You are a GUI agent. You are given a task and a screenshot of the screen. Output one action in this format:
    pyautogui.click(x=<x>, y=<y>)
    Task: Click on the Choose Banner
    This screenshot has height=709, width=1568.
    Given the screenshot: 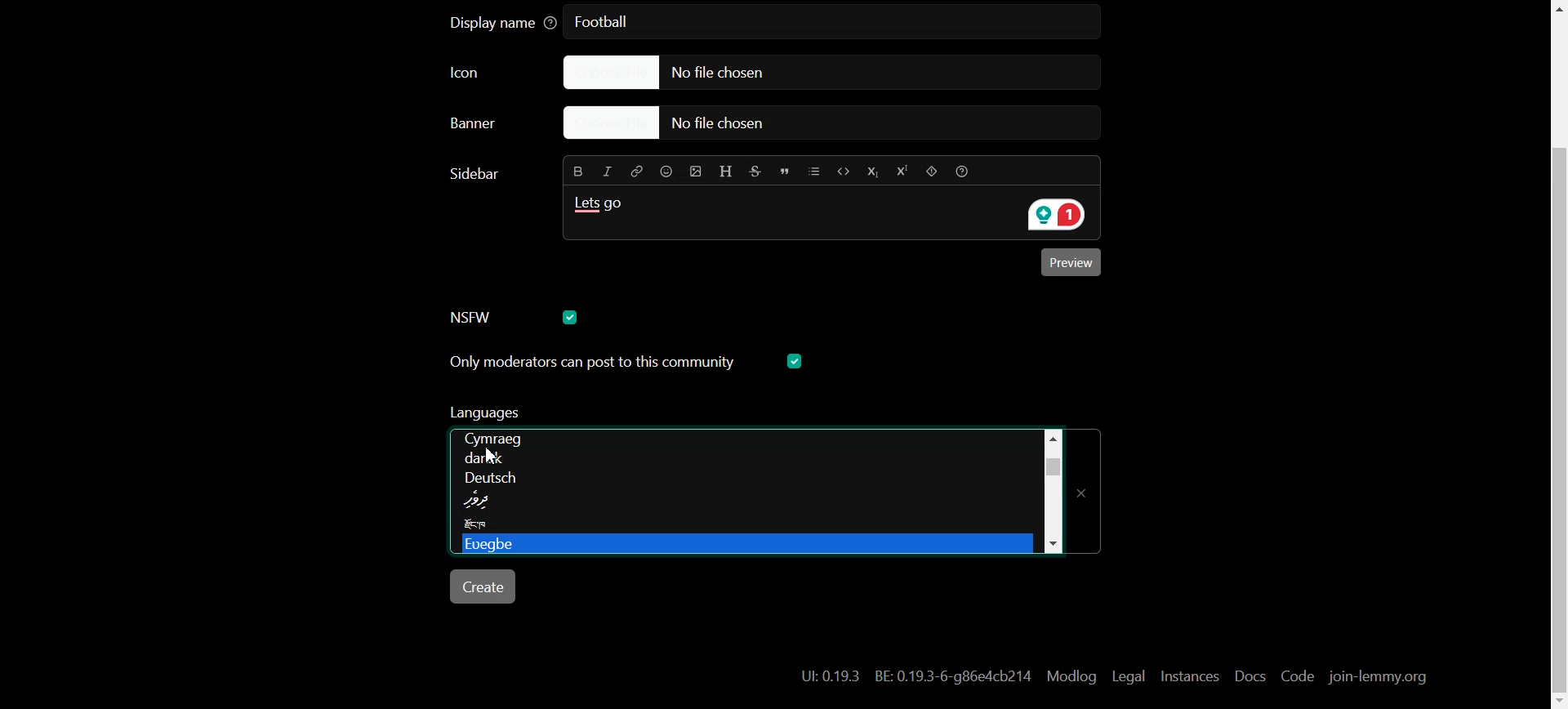 What is the action you would take?
    pyautogui.click(x=492, y=127)
    